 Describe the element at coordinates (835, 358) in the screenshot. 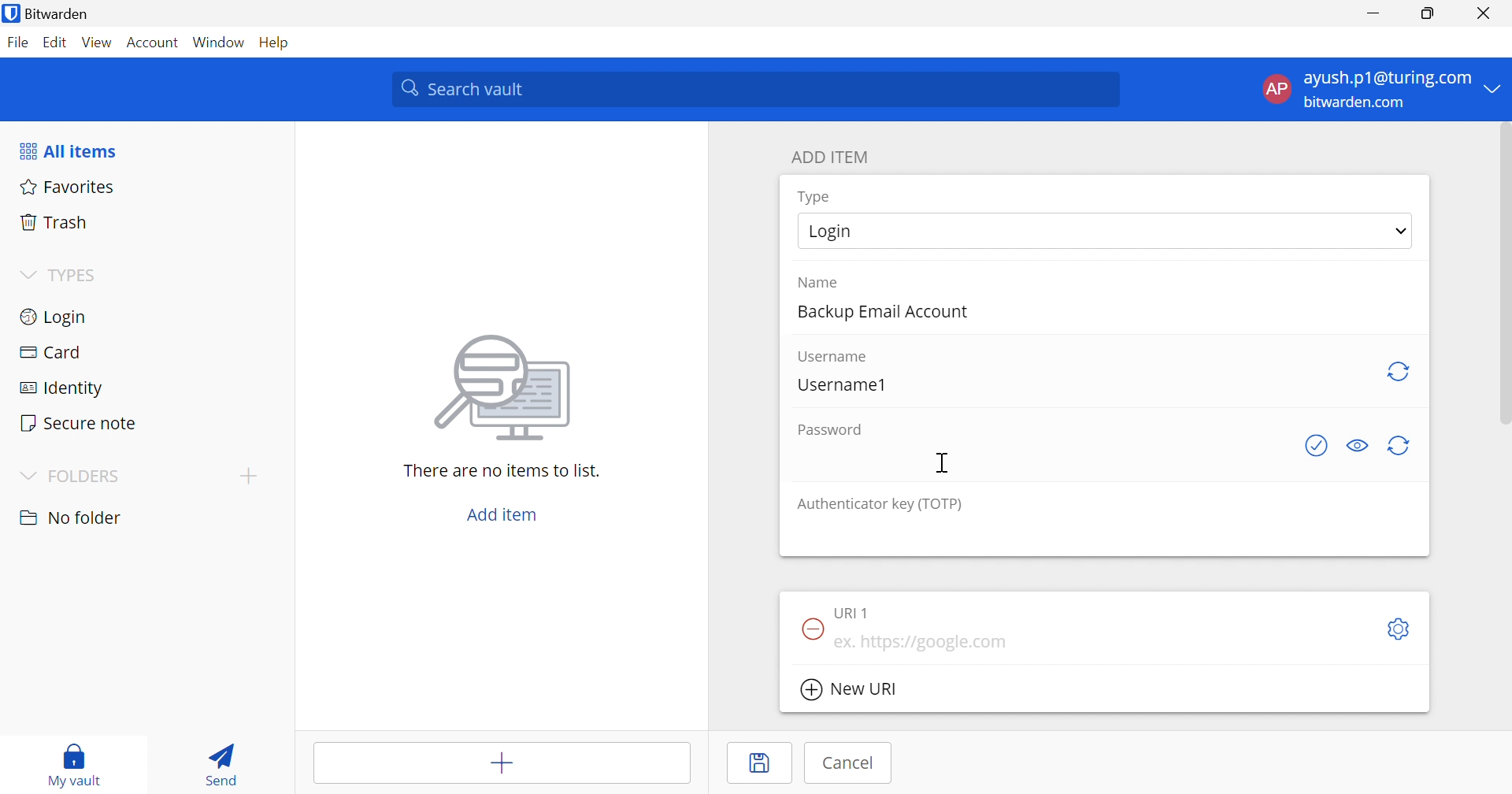

I see `Username` at that location.